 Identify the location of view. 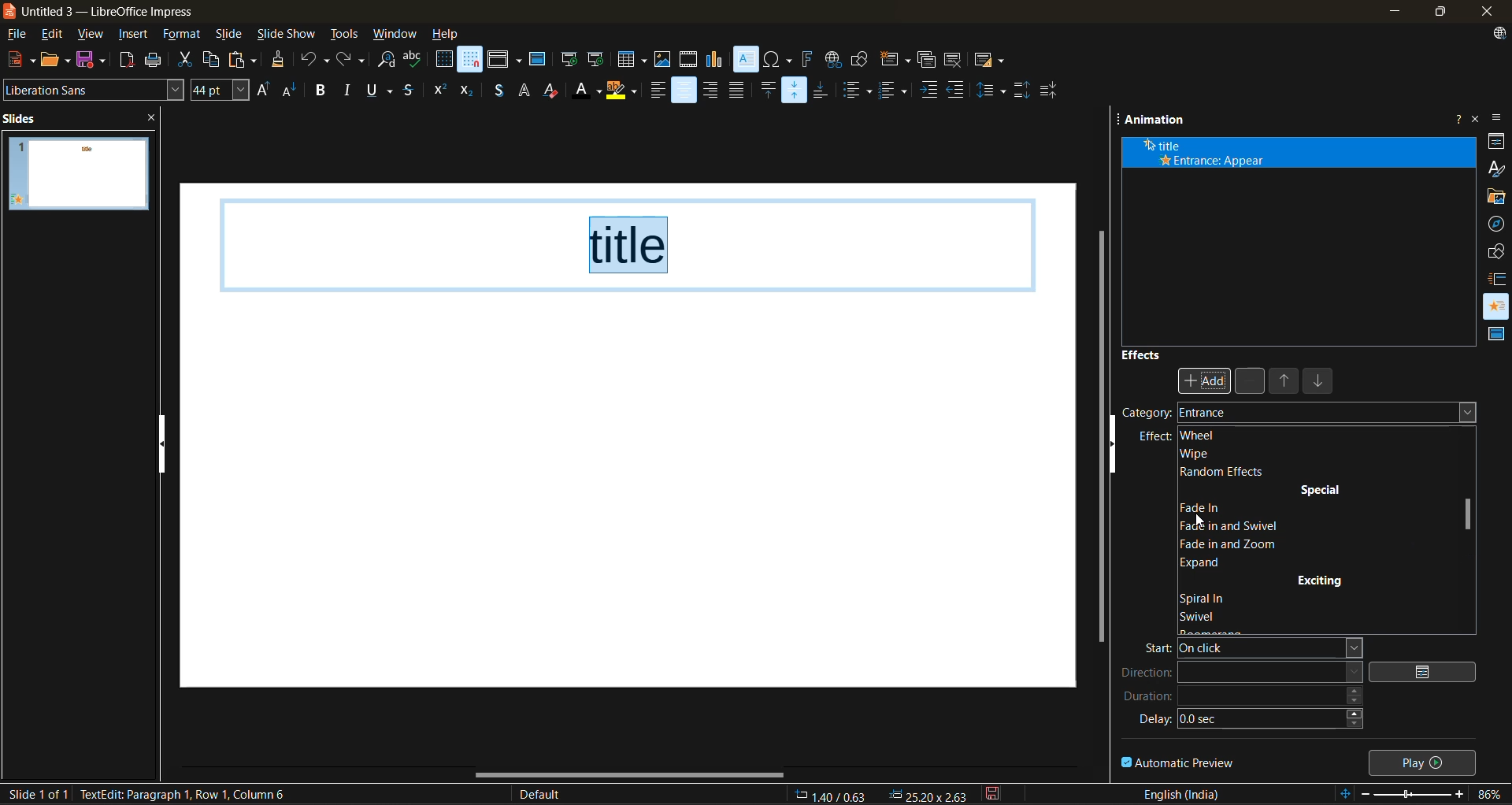
(94, 35).